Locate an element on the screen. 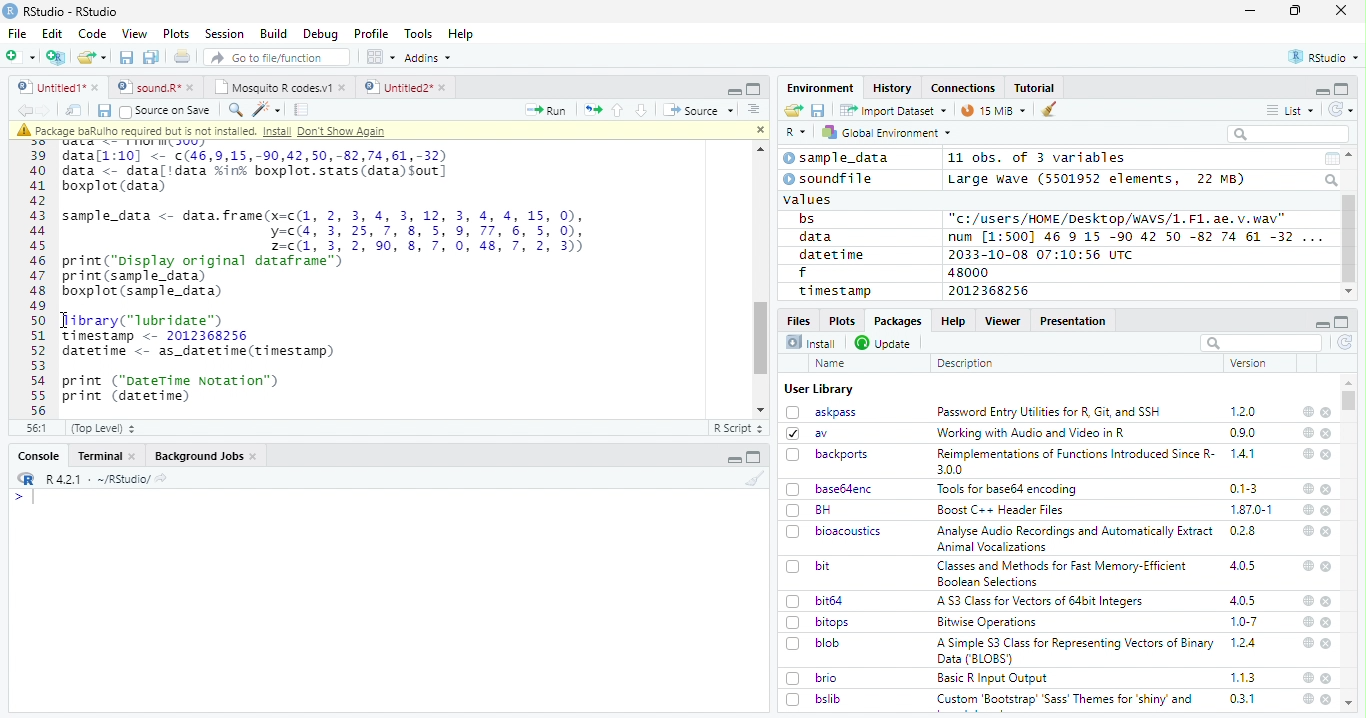 Image resolution: width=1366 pixels, height=718 pixels. close is located at coordinates (1328, 644).